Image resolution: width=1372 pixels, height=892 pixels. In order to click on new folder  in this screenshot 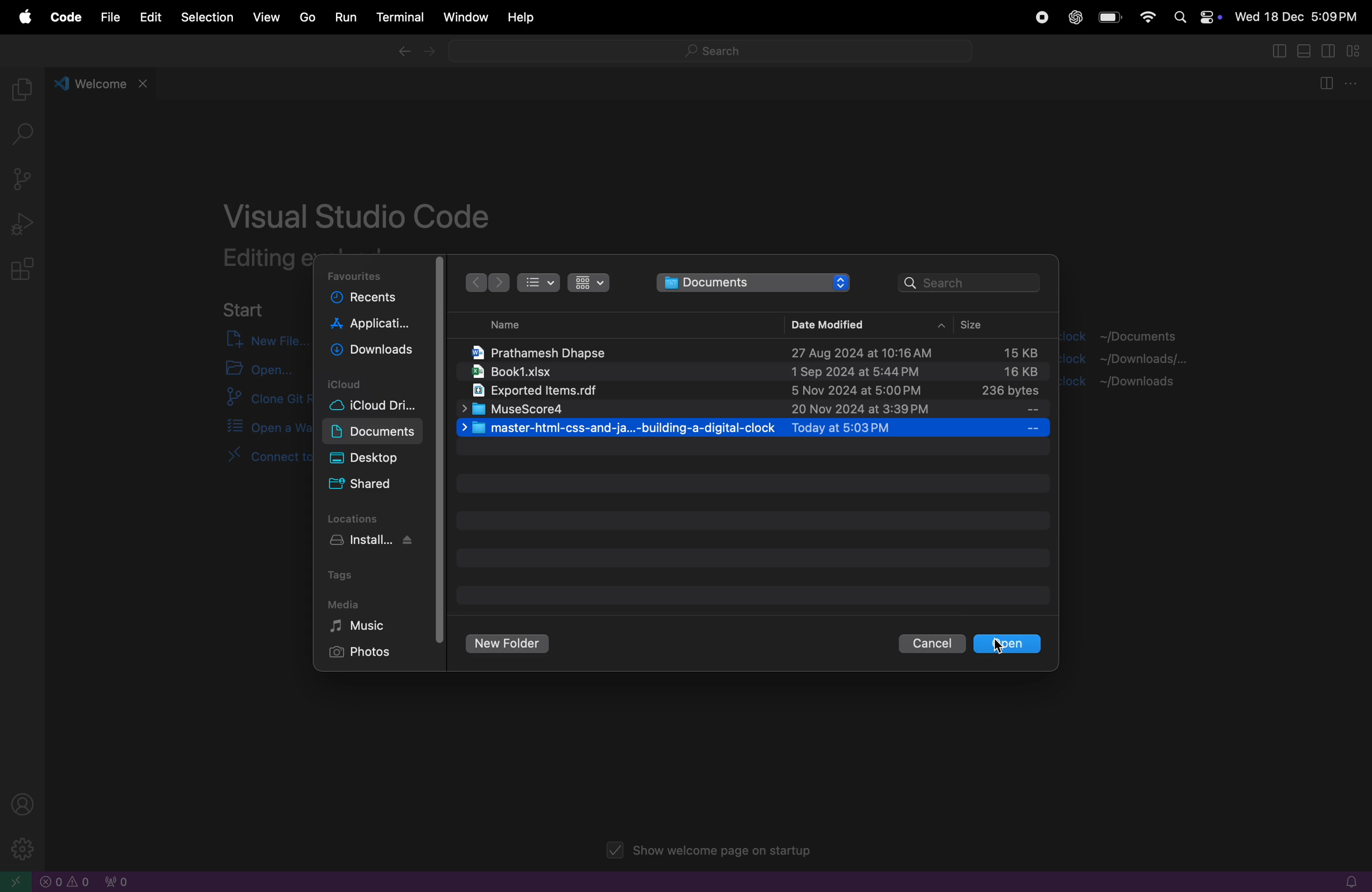, I will do `click(509, 644)`.